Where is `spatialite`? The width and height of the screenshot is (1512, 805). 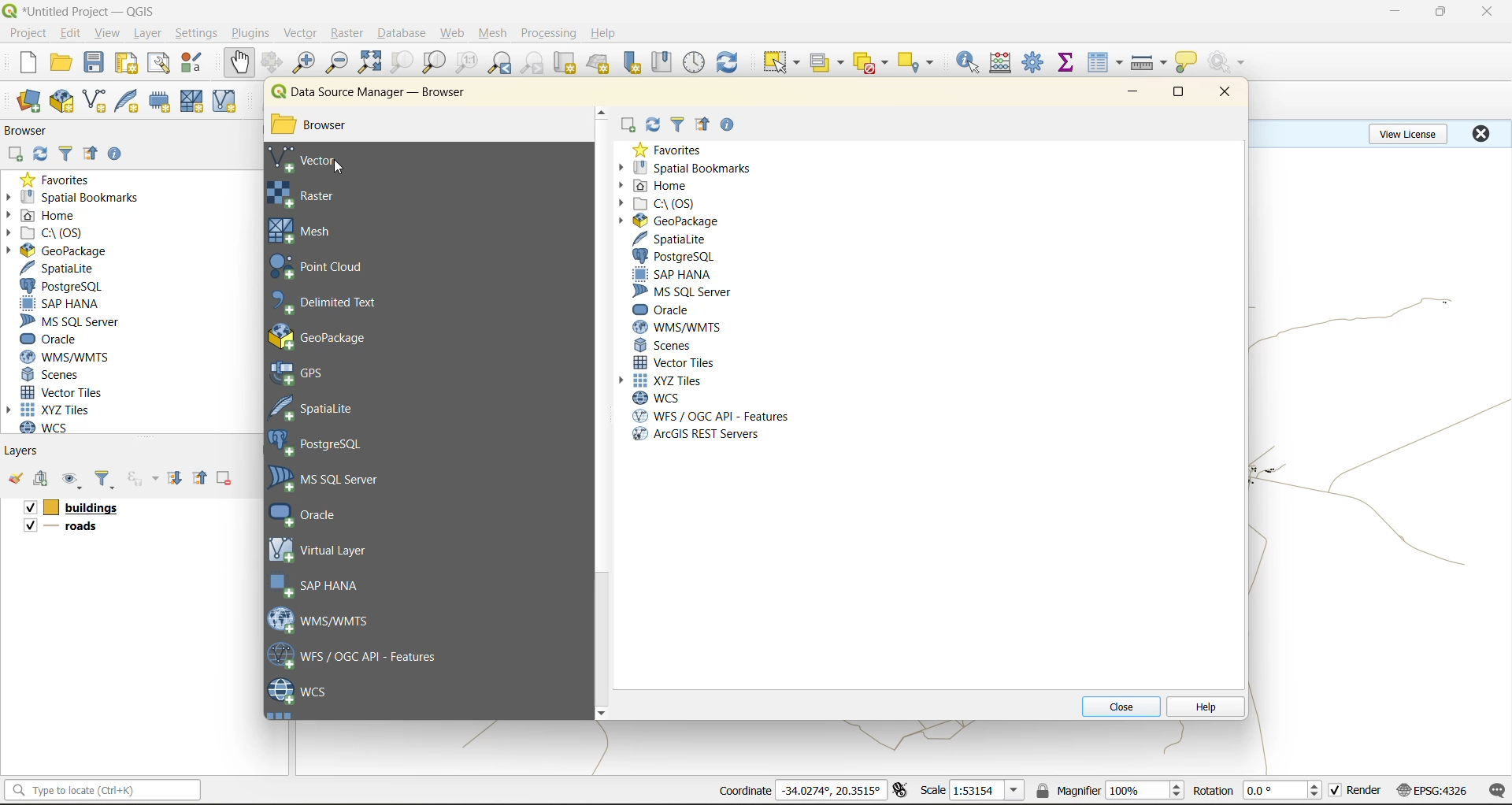 spatialite is located at coordinates (65, 269).